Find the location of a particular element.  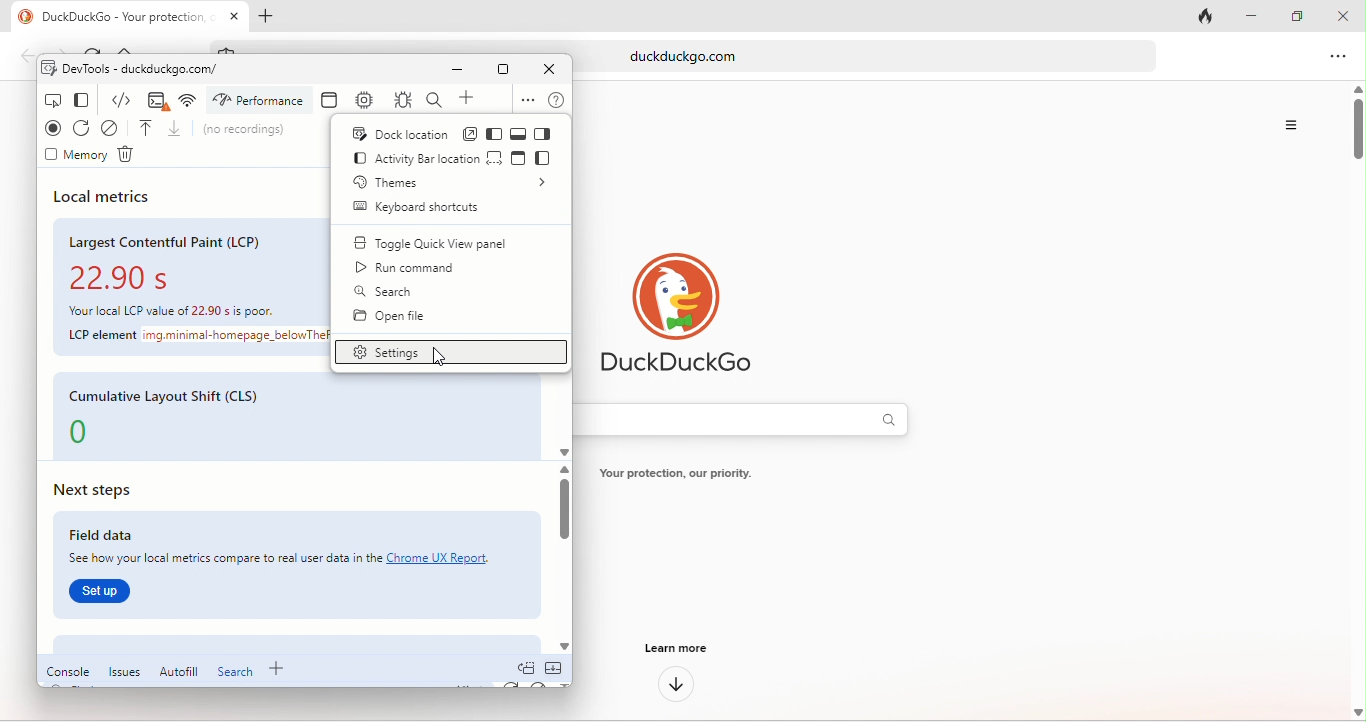

issues is located at coordinates (124, 667).